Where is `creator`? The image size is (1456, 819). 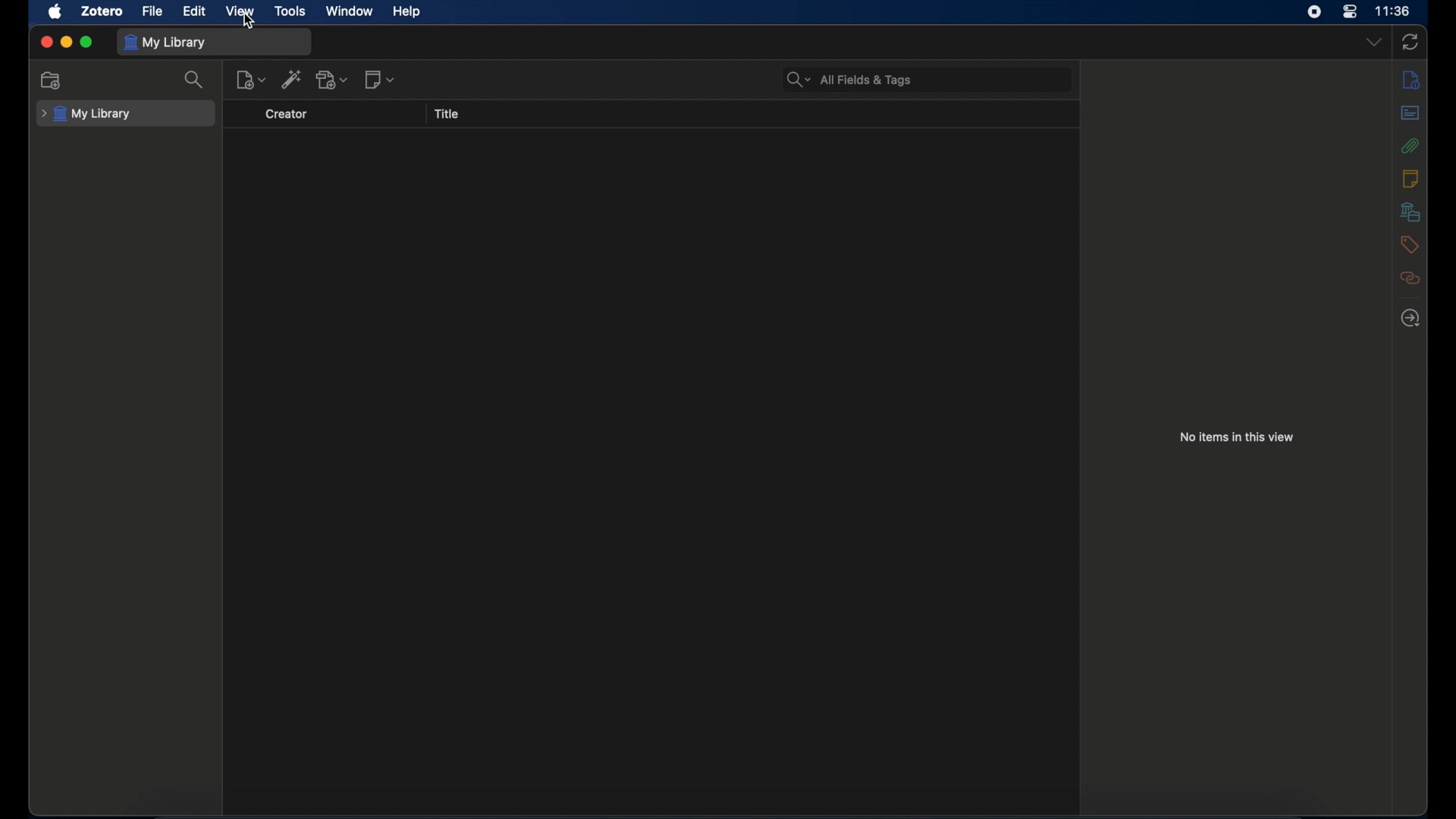
creator is located at coordinates (287, 115).